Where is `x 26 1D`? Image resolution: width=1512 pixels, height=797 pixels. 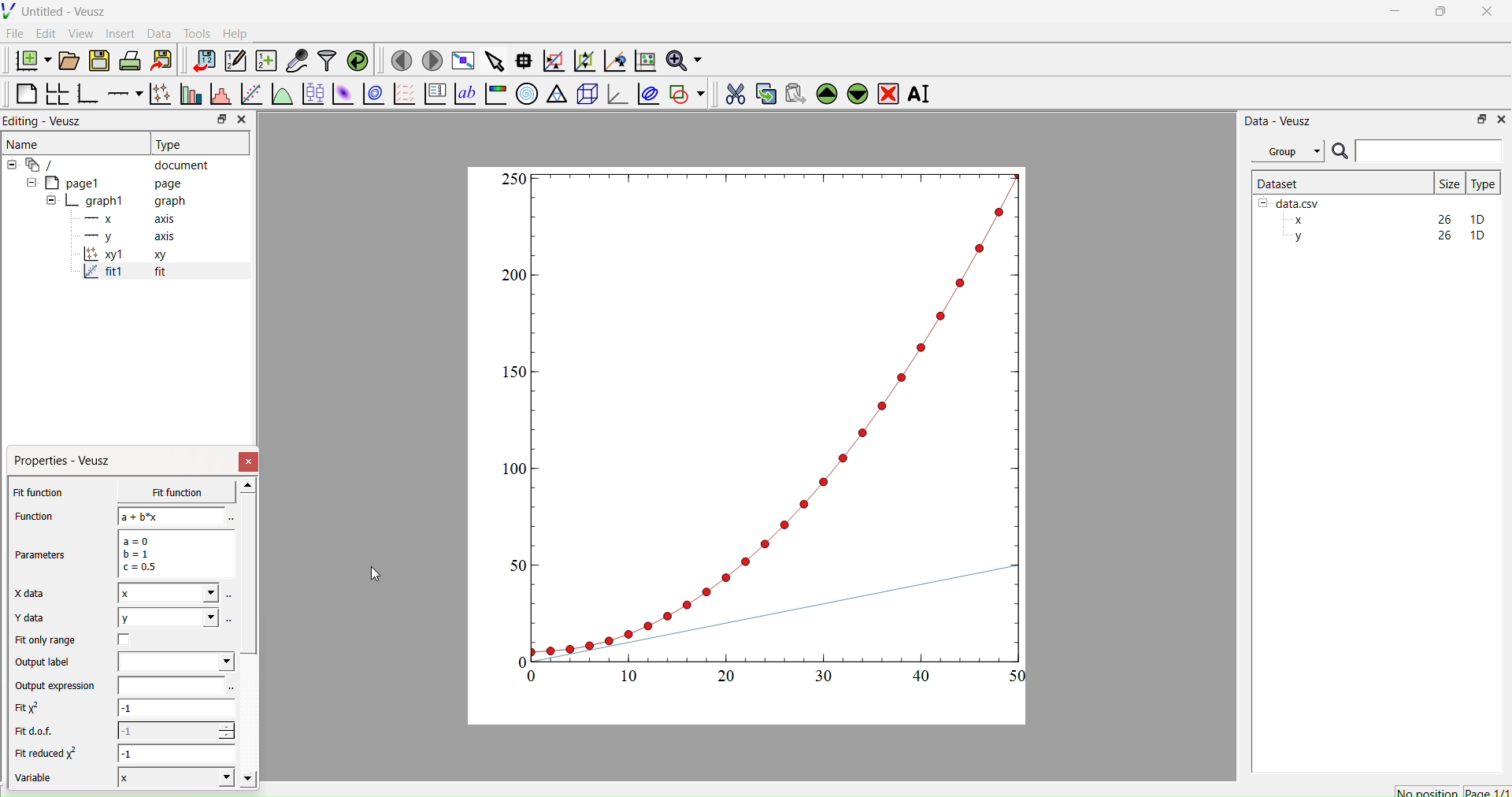 x 26 1D is located at coordinates (1385, 220).